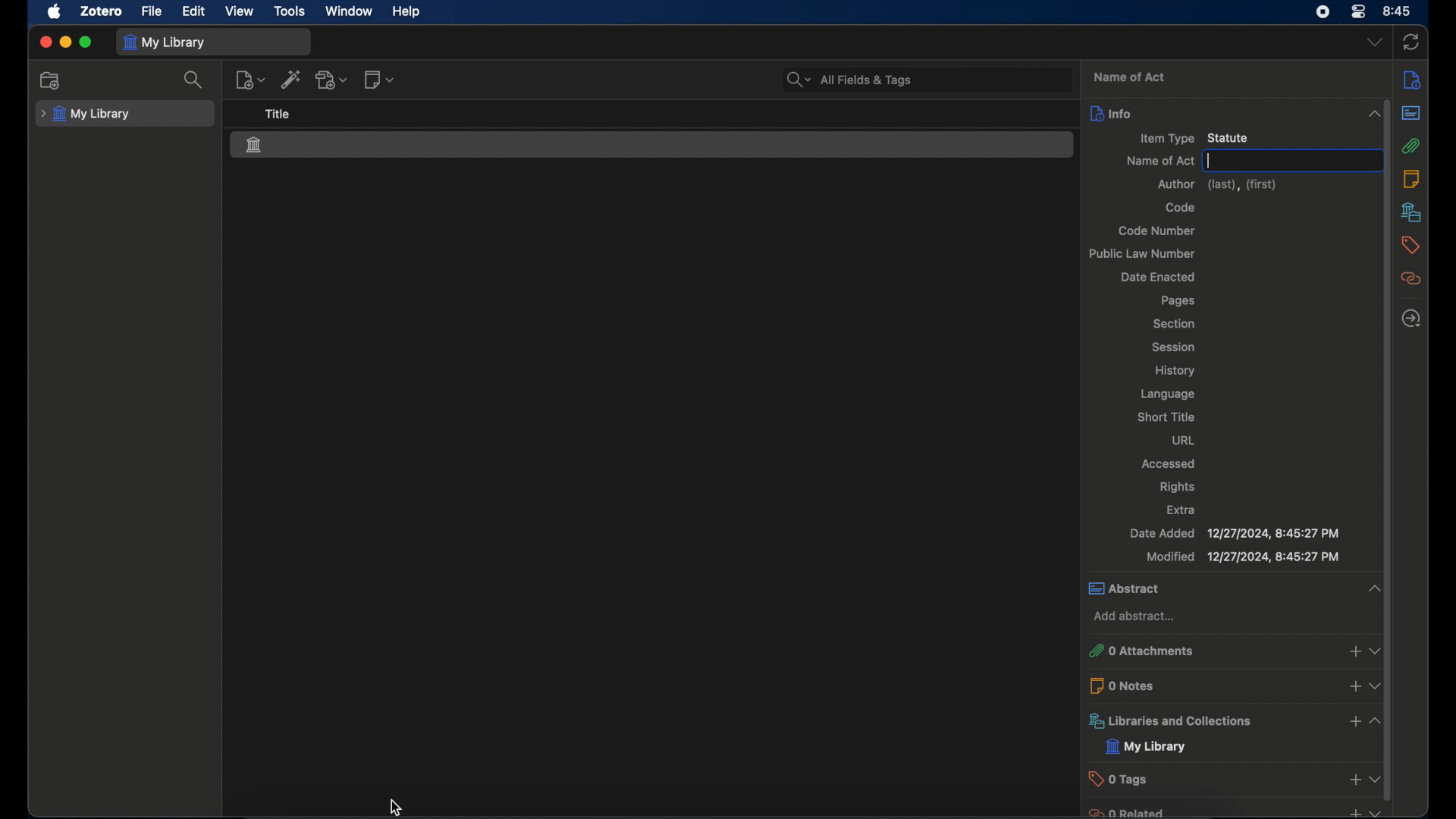 The width and height of the screenshot is (1456, 819). I want to click on notes, so click(1411, 177).